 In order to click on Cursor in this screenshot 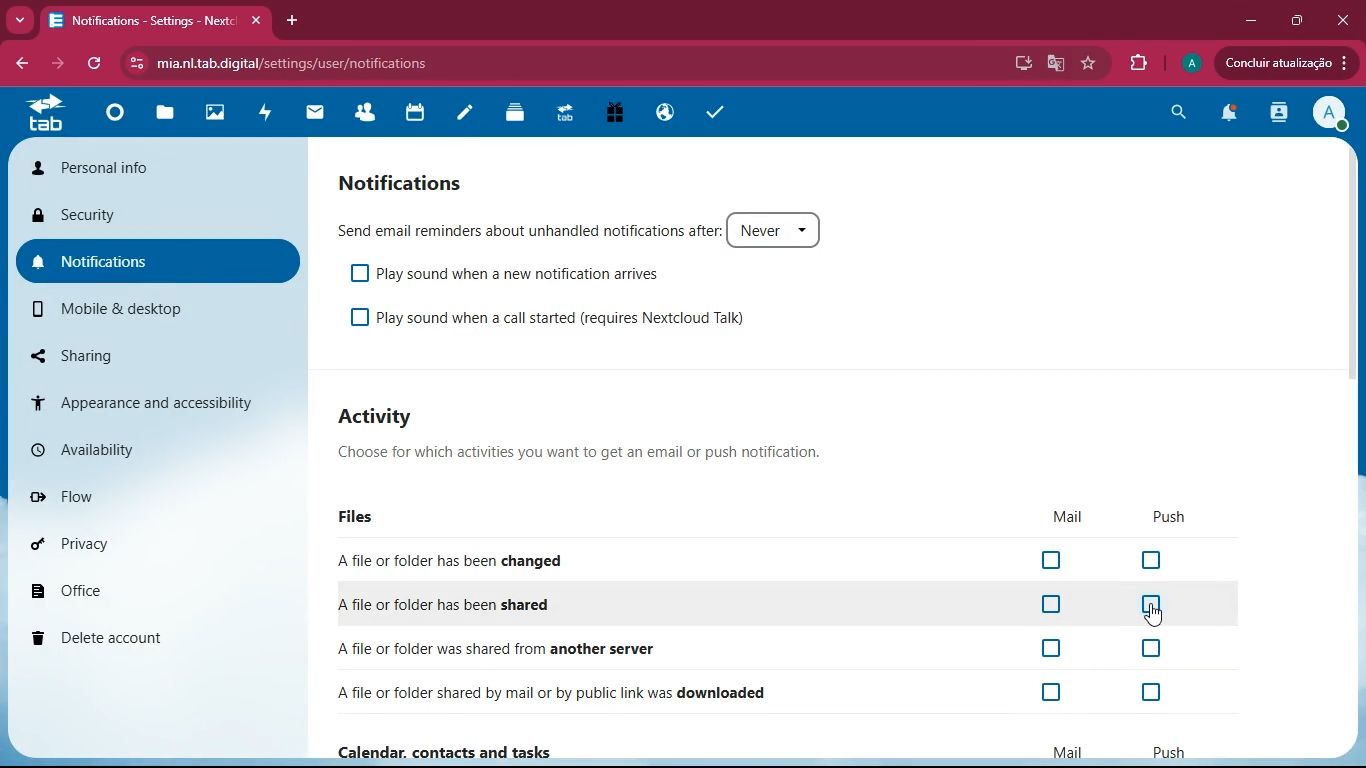, I will do `click(1151, 617)`.